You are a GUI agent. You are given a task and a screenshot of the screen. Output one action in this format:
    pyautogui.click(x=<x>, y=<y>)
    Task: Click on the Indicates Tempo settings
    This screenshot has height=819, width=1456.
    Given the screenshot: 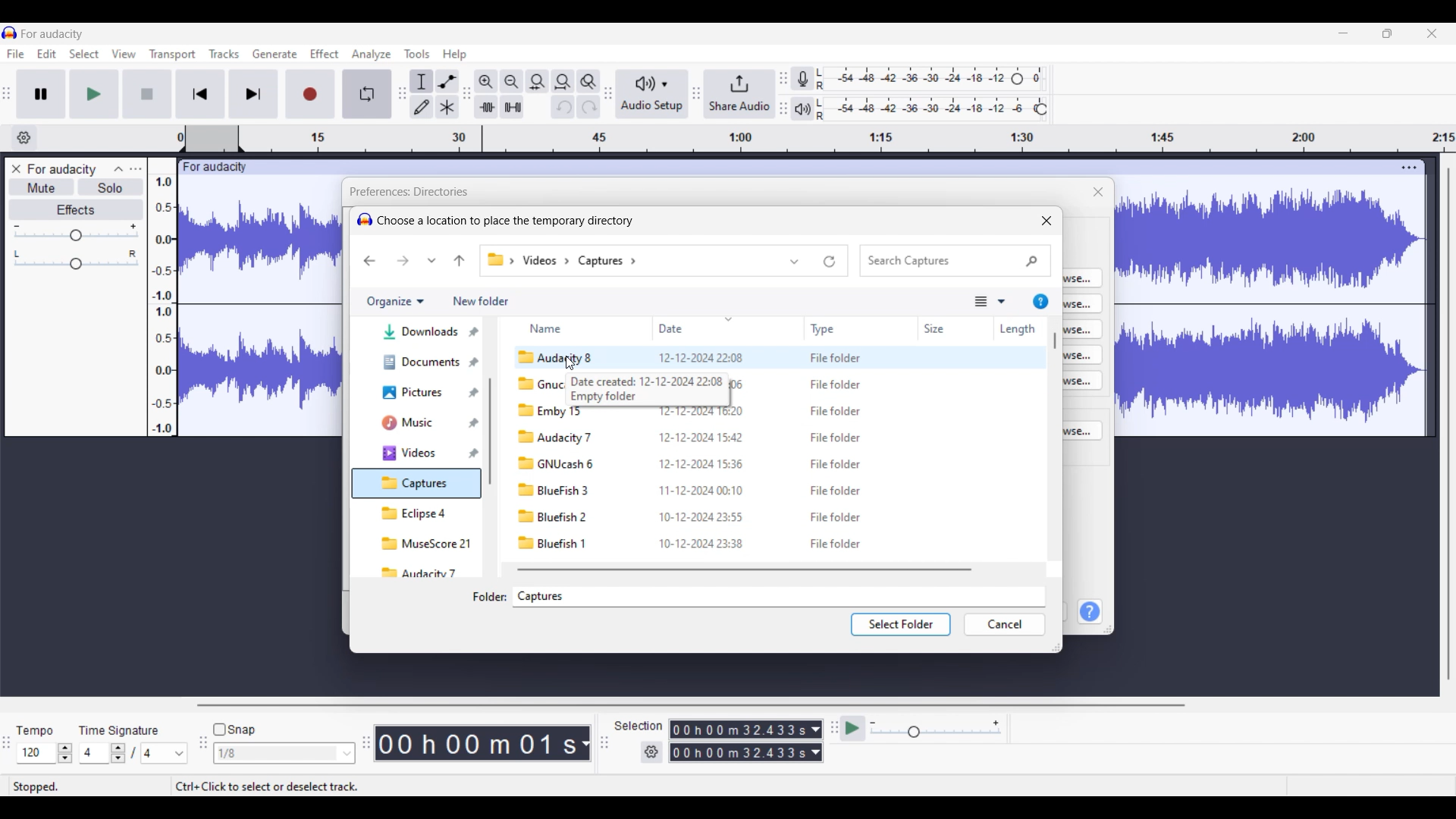 What is the action you would take?
    pyautogui.click(x=36, y=730)
    